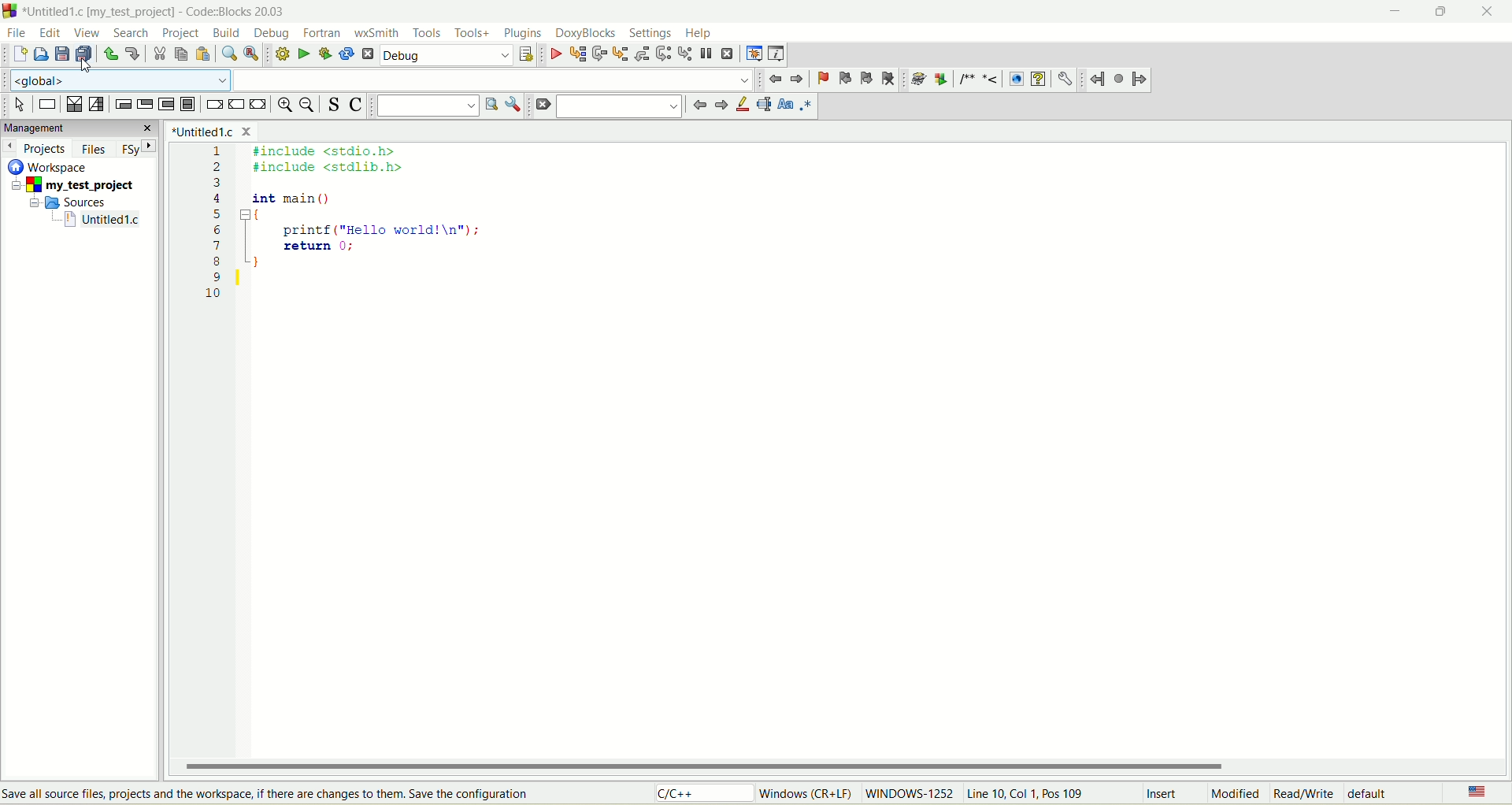 This screenshot has width=1512, height=805. I want to click on build and run, so click(326, 54).